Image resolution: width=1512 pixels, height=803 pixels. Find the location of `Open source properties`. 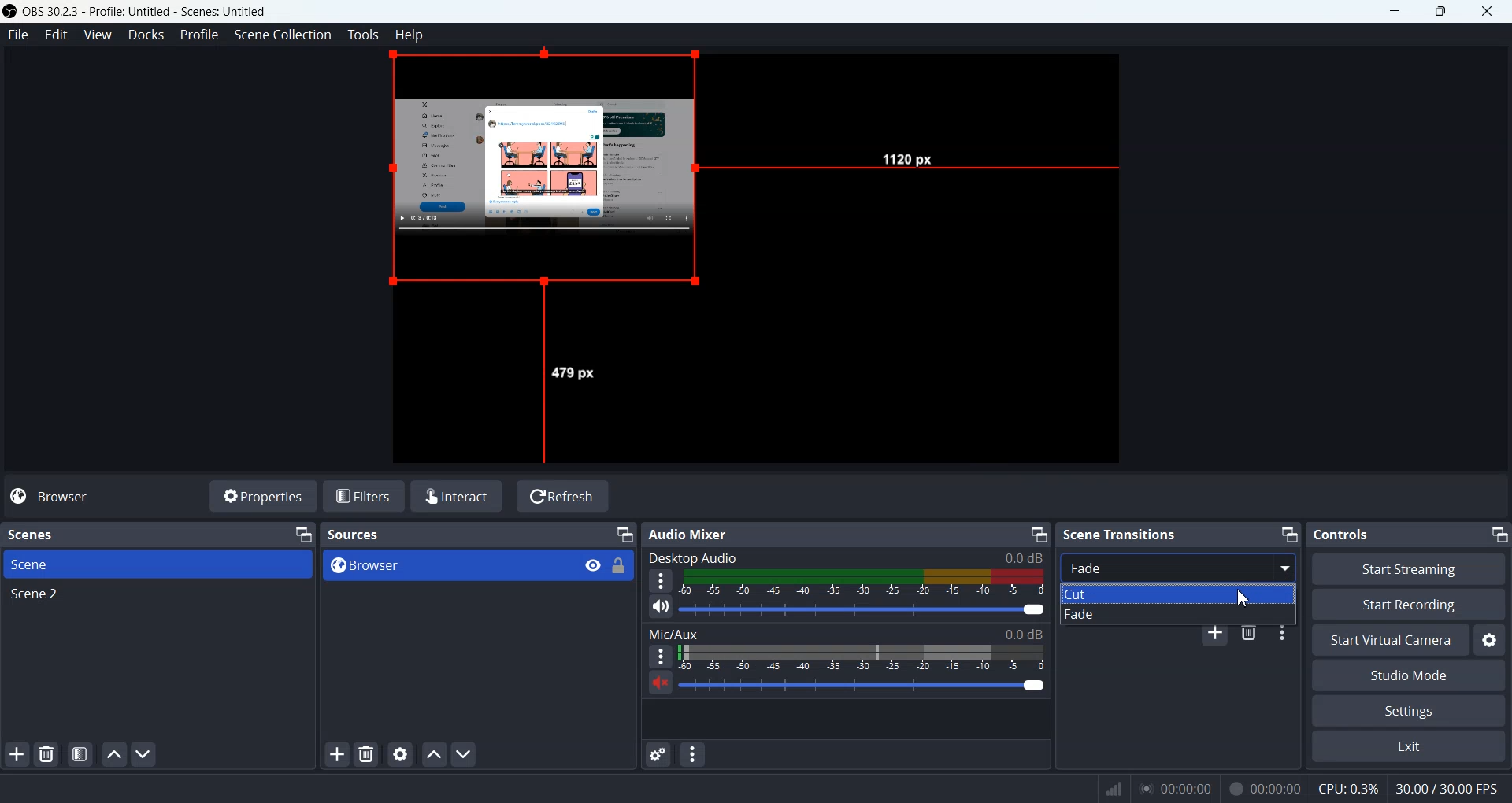

Open source properties is located at coordinates (400, 753).